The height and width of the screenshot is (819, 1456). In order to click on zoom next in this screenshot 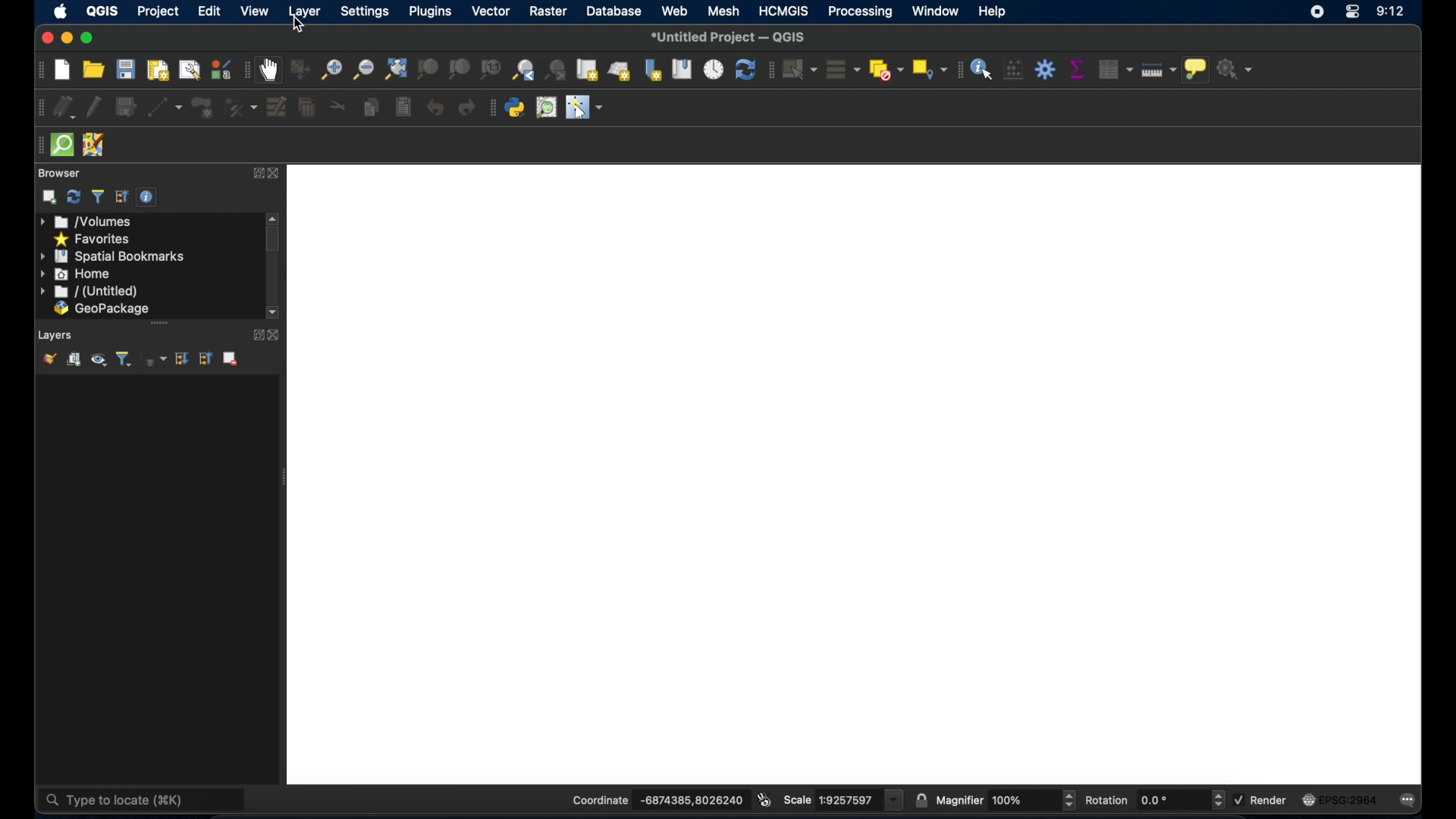, I will do `click(558, 69)`.